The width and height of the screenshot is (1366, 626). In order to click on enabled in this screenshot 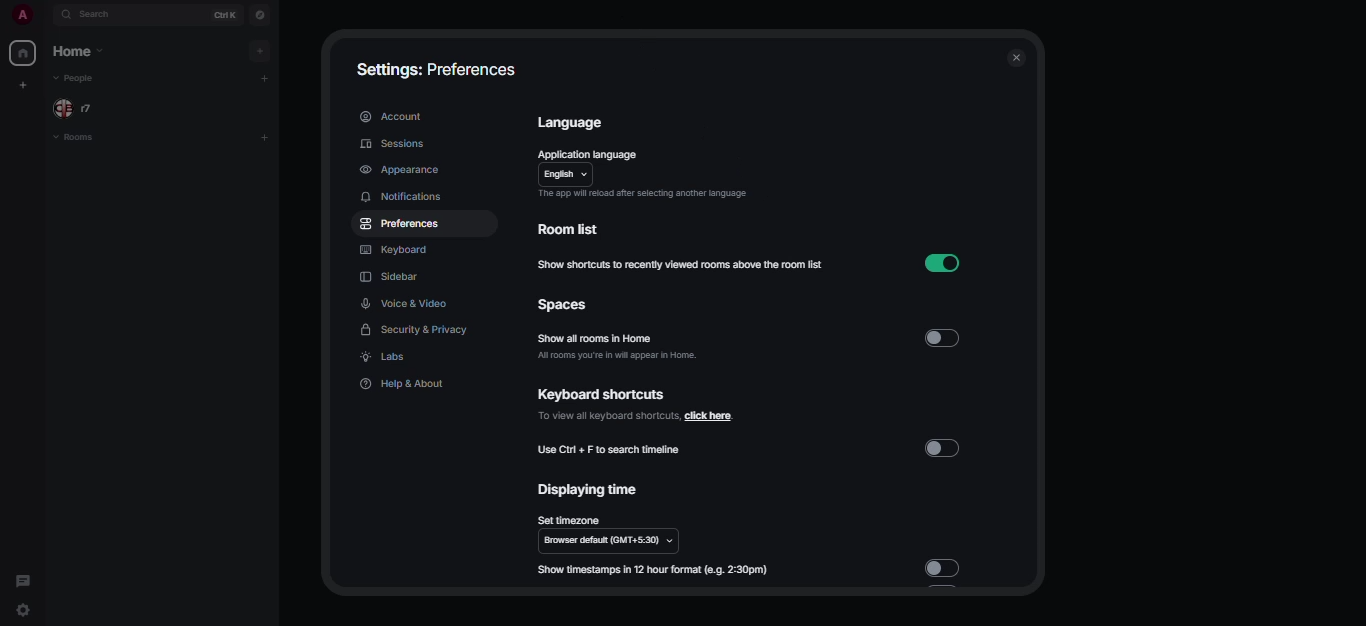, I will do `click(945, 264)`.